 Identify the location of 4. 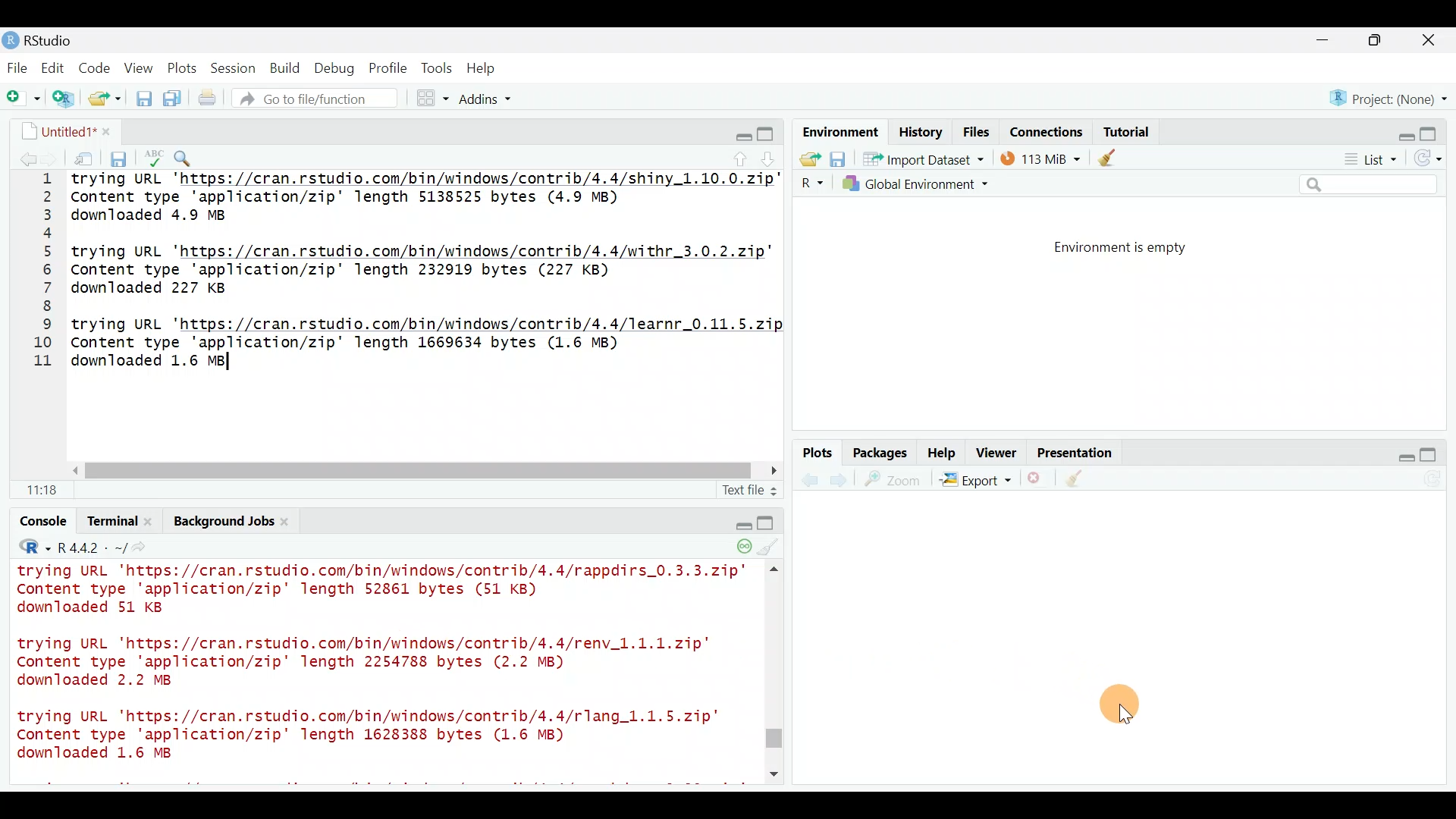
(50, 236).